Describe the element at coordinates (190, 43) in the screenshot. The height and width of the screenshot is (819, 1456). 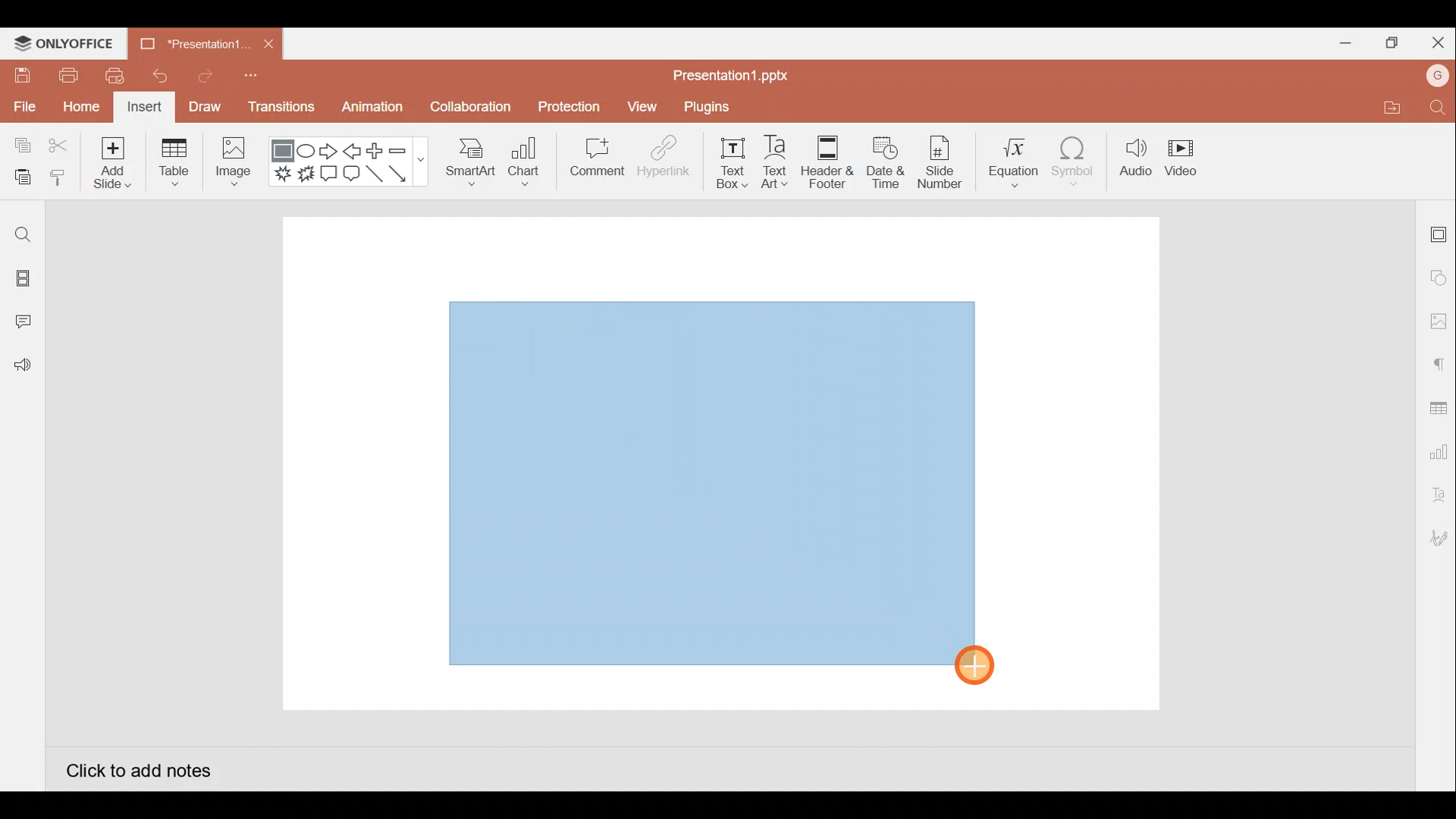
I see `Presentation1.` at that location.